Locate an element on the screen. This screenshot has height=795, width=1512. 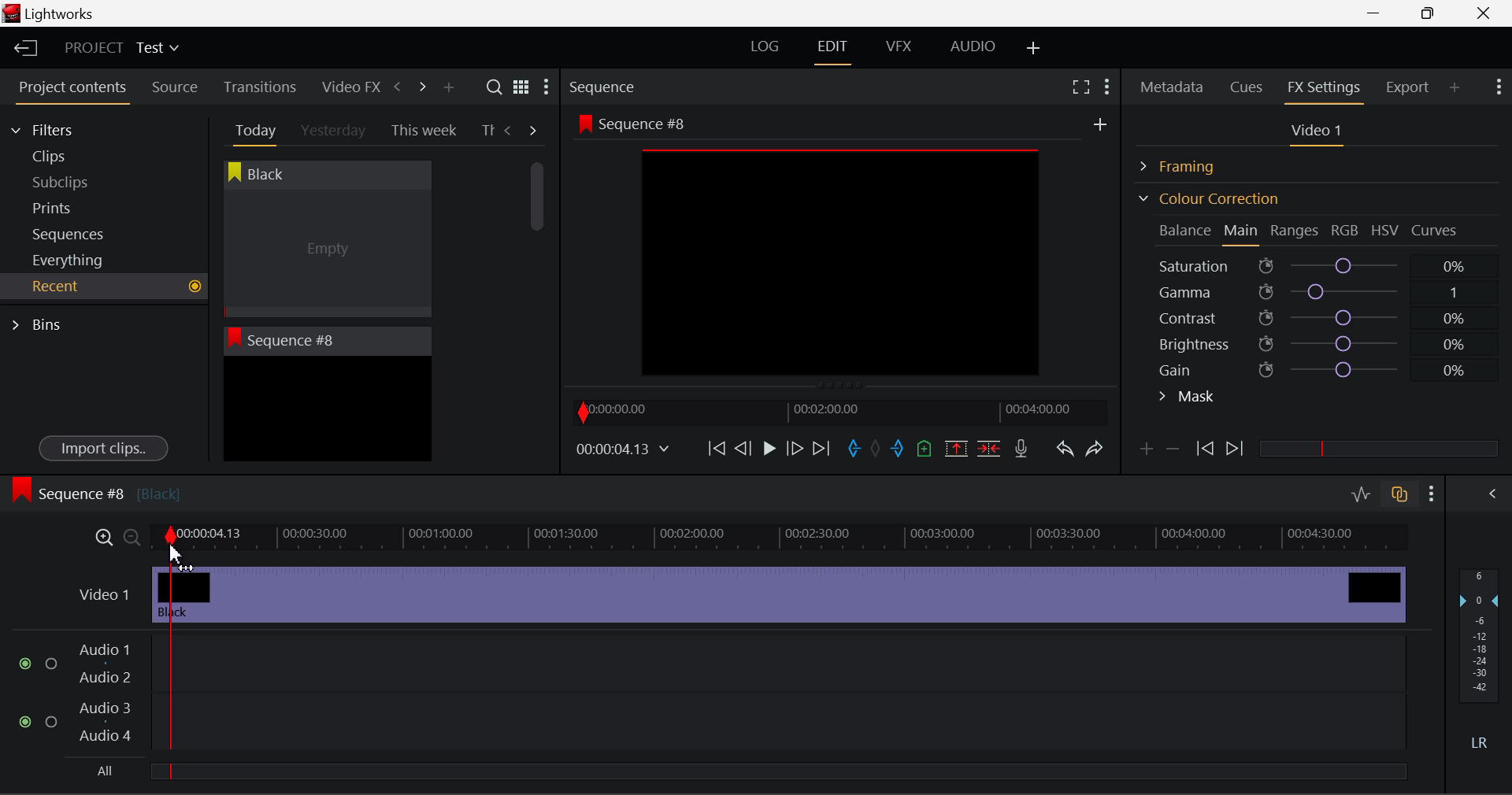
Frame Time is located at coordinates (624, 450).